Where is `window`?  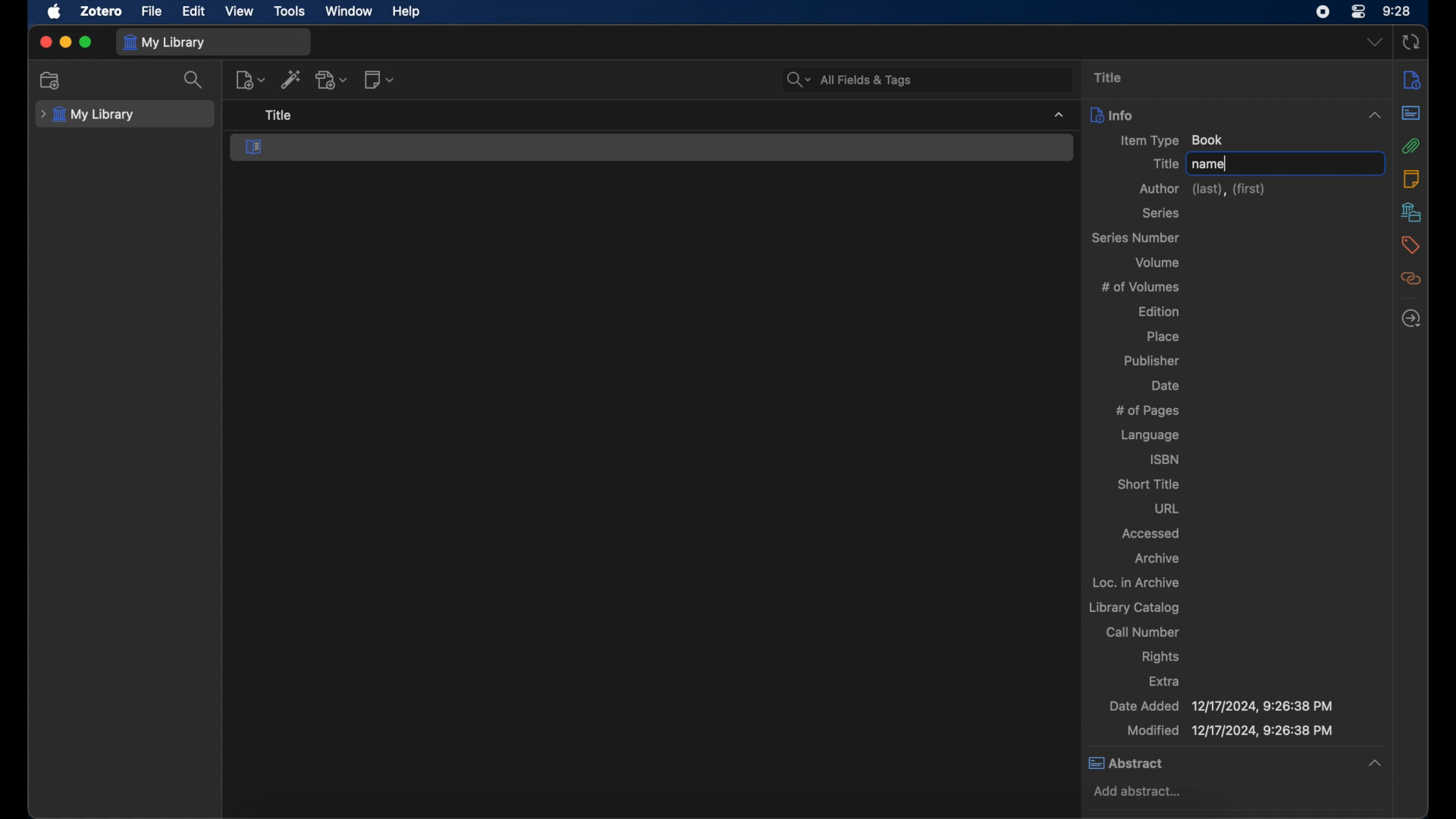
window is located at coordinates (350, 11).